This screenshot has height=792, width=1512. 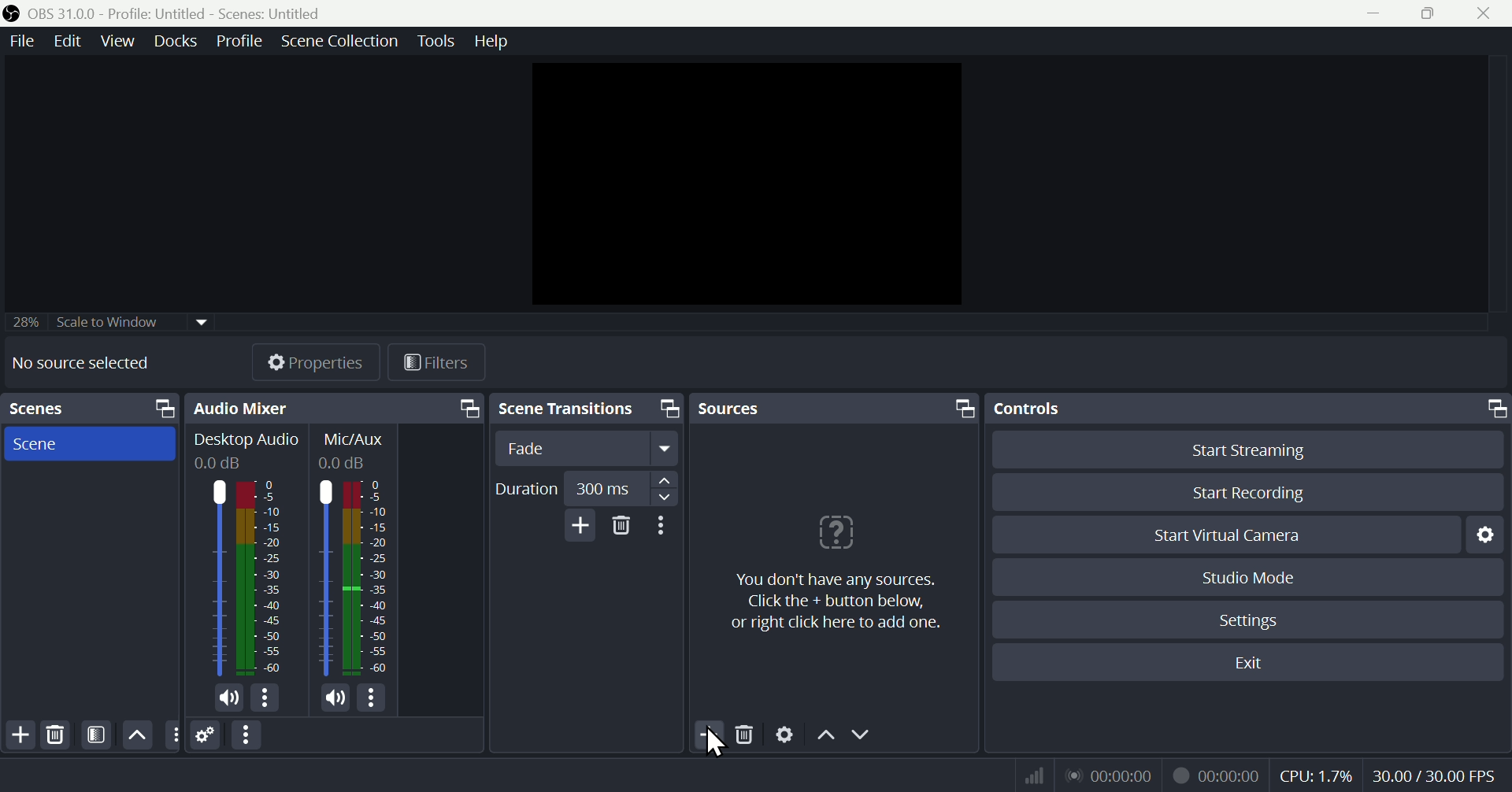 I want to click on FILTER, so click(x=94, y=735).